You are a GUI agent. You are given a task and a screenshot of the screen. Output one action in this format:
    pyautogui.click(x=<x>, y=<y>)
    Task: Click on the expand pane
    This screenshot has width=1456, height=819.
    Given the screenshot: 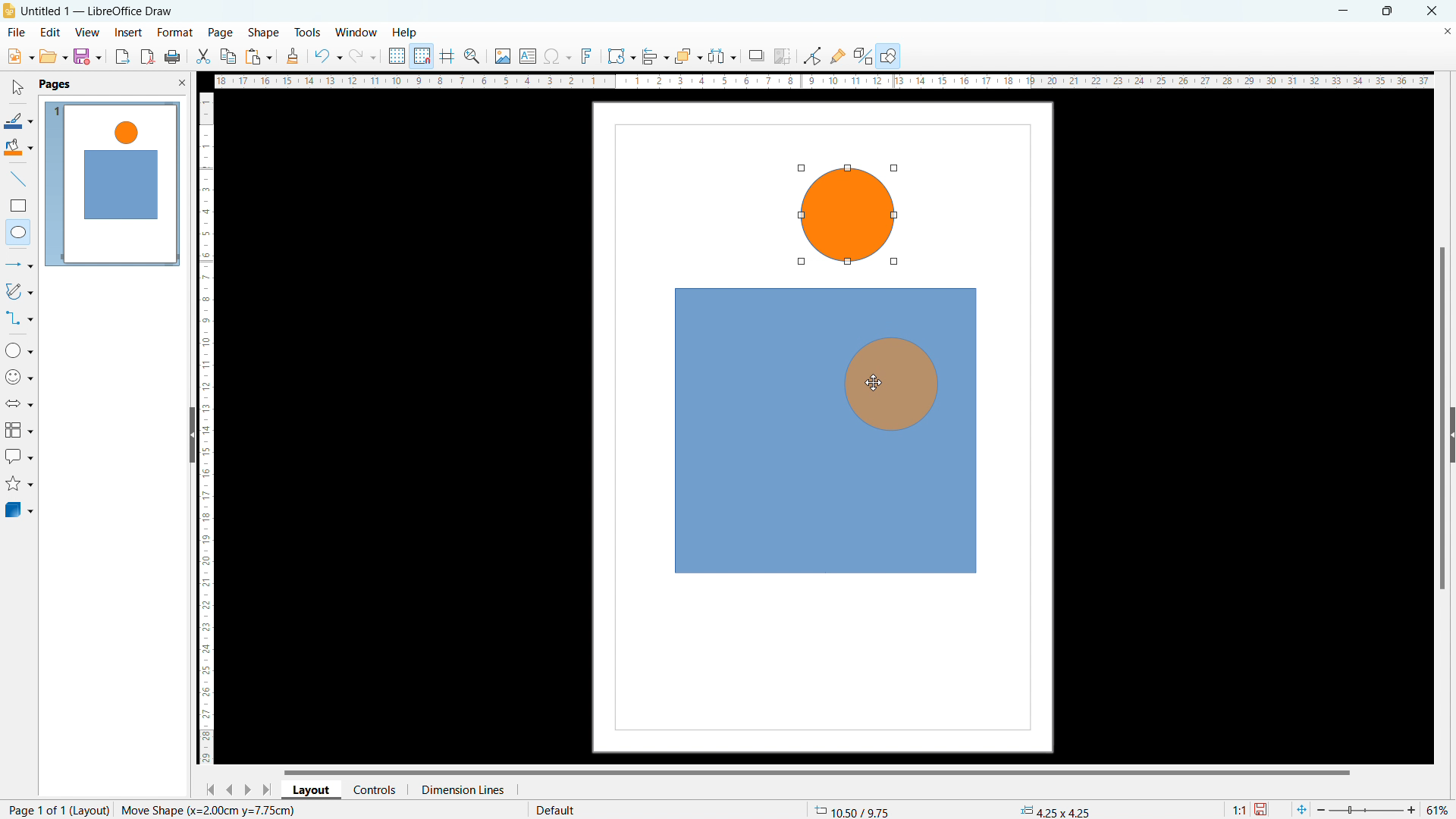 What is the action you would take?
    pyautogui.click(x=1451, y=435)
    